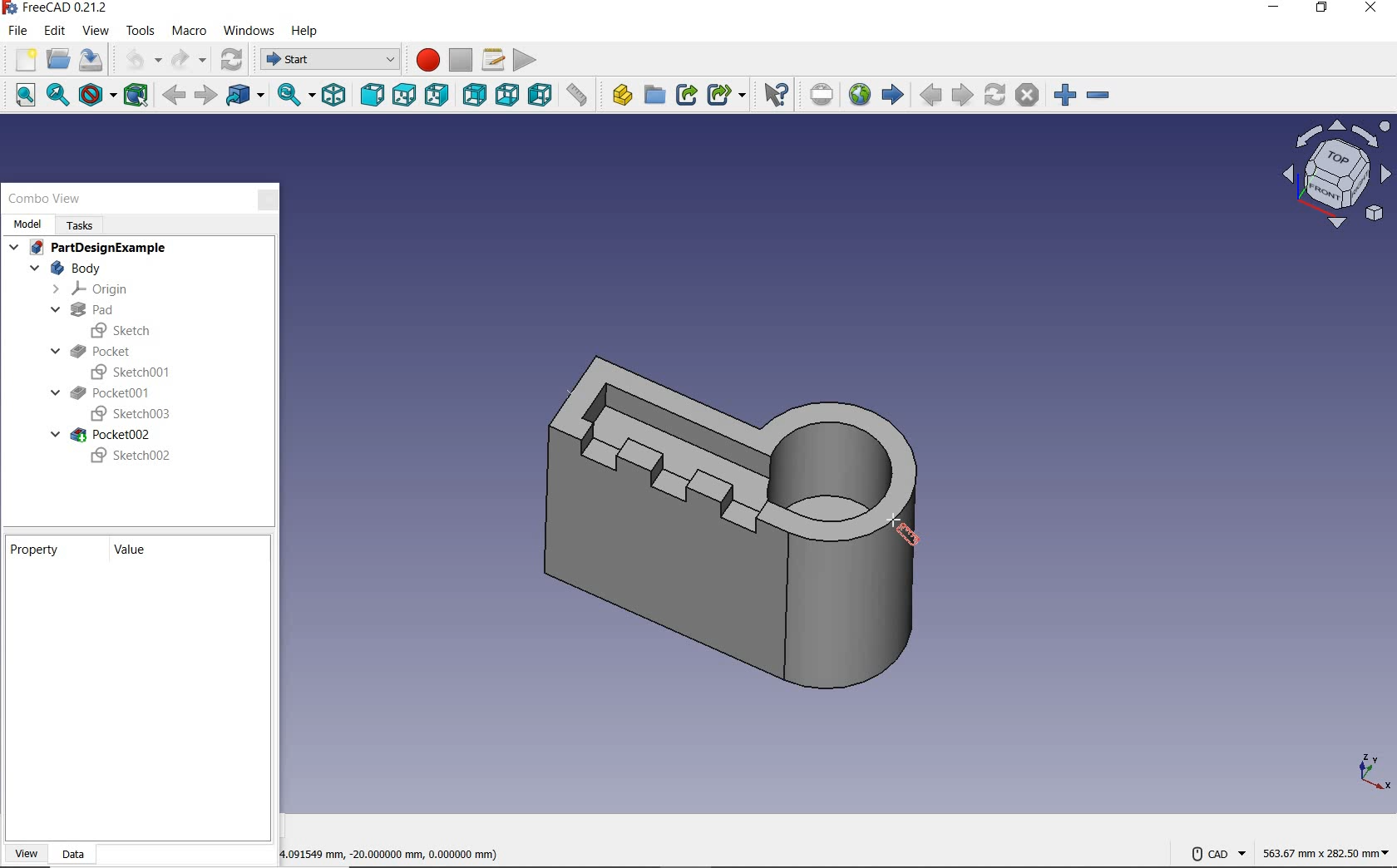 Image resolution: width=1397 pixels, height=868 pixels. I want to click on set URL, so click(822, 96).